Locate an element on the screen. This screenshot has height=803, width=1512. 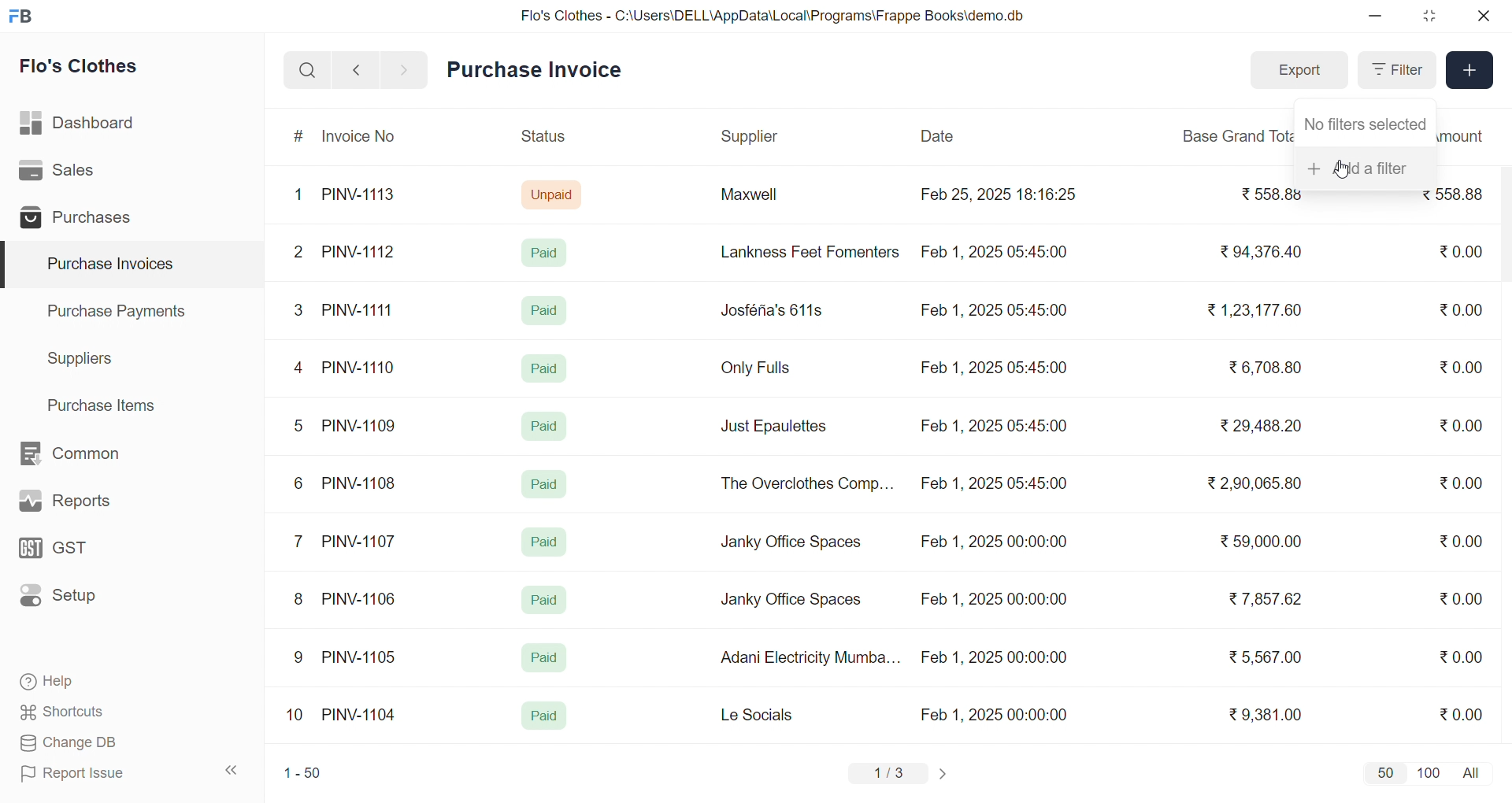
6 is located at coordinates (298, 483).